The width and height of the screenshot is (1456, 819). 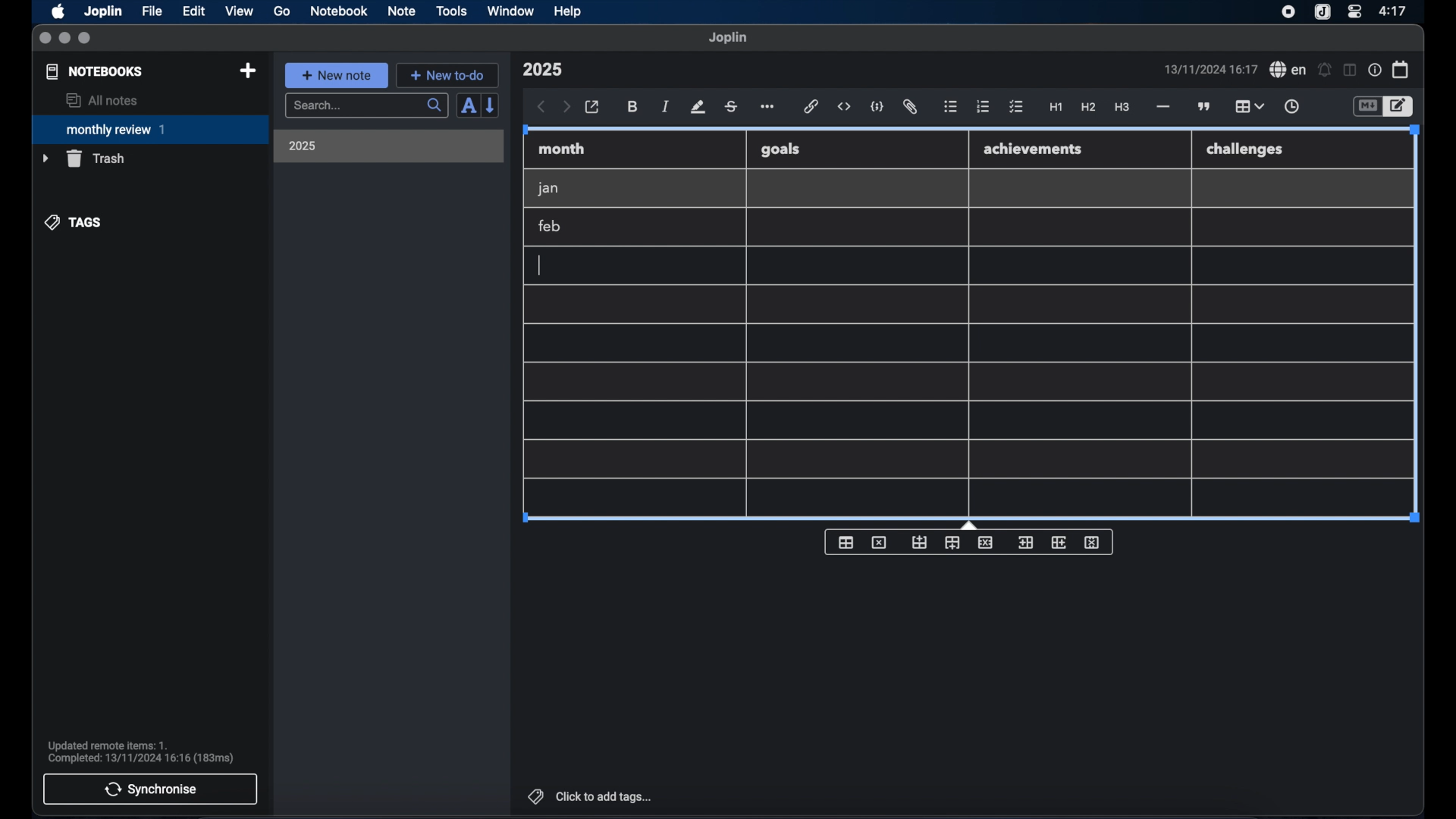 I want to click on code, so click(x=877, y=108).